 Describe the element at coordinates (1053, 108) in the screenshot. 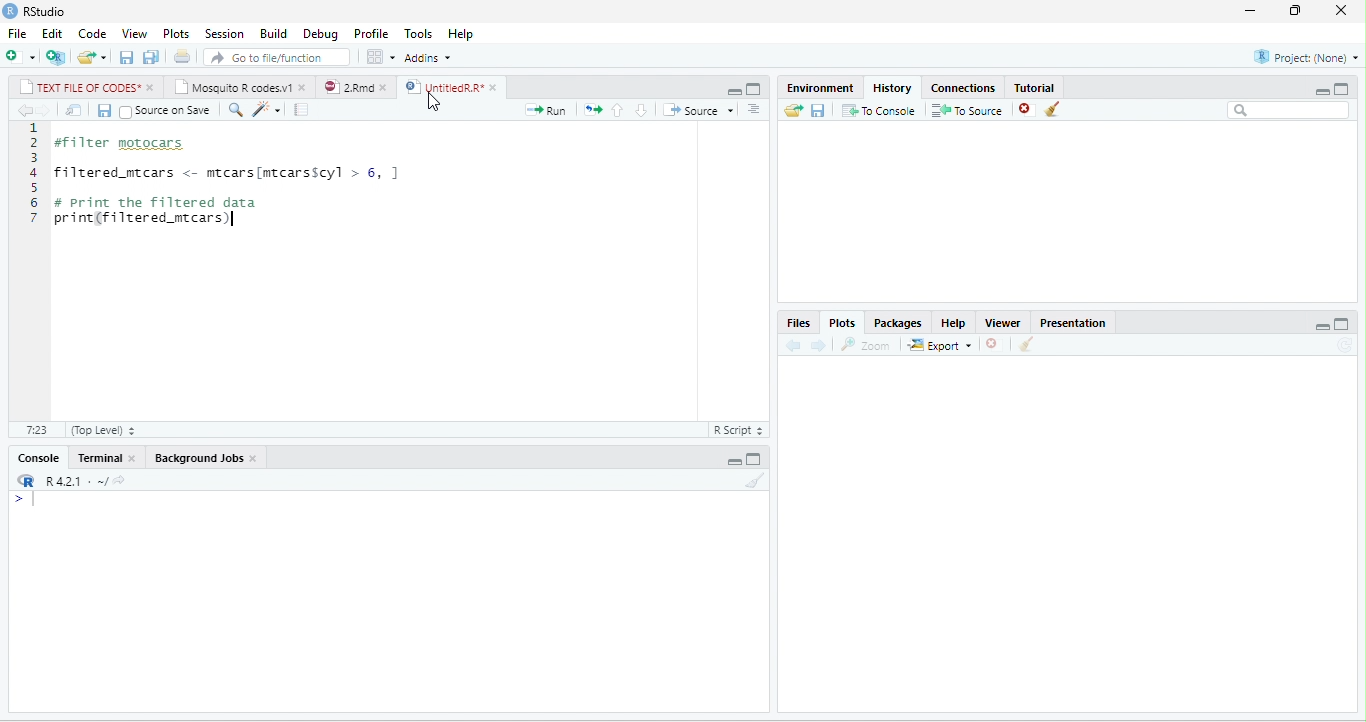

I see `clear` at that location.